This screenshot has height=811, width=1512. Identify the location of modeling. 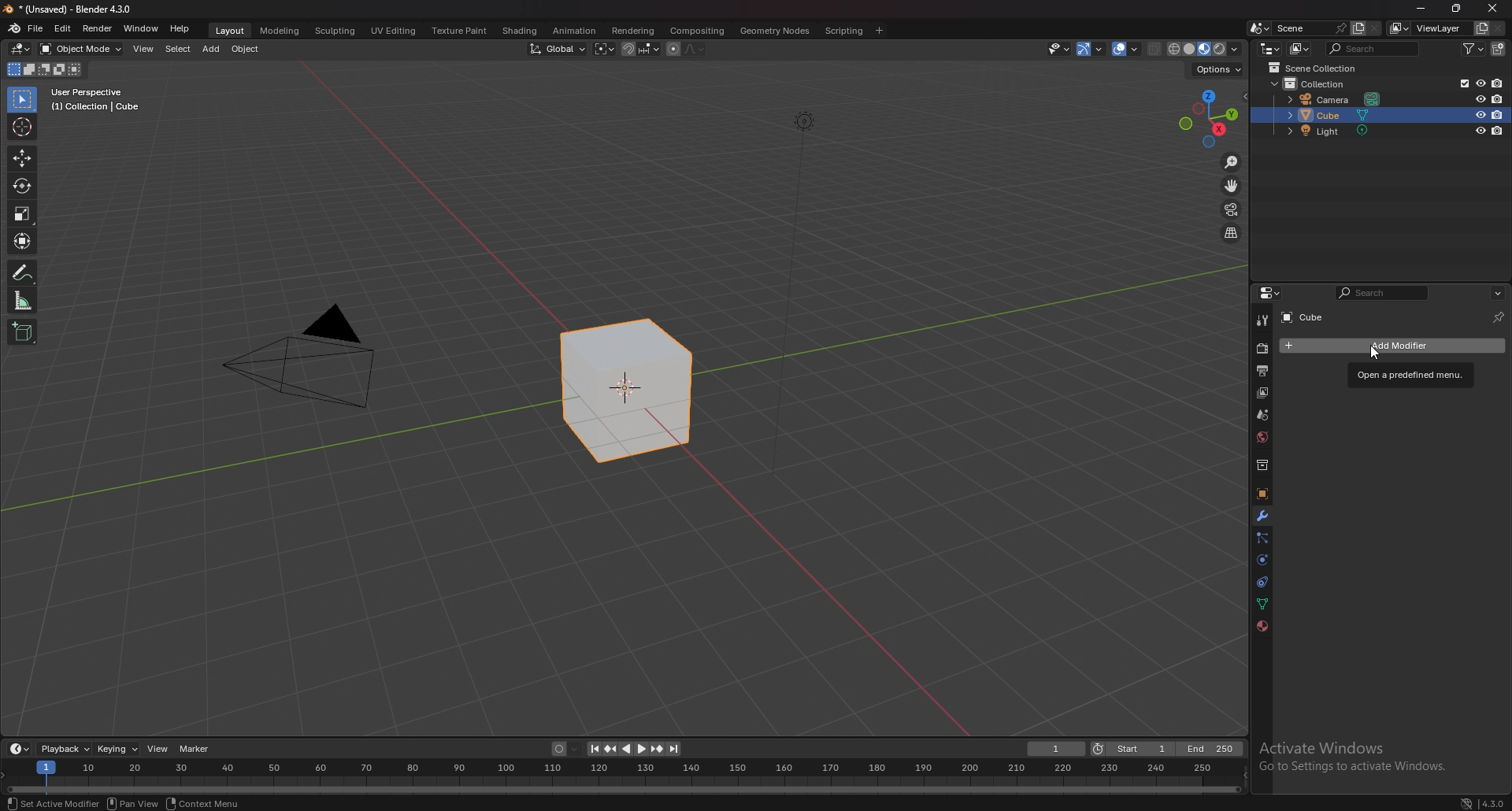
(281, 30).